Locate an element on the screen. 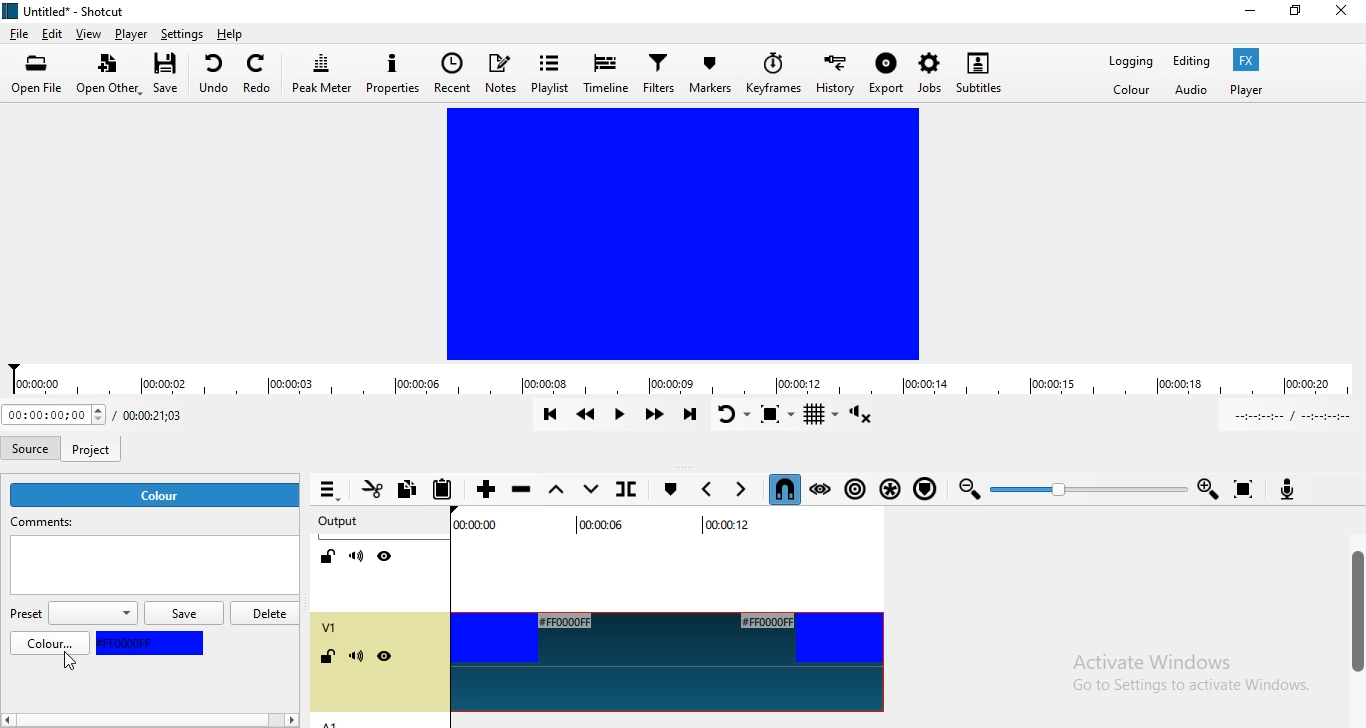  Editing is located at coordinates (1189, 60).